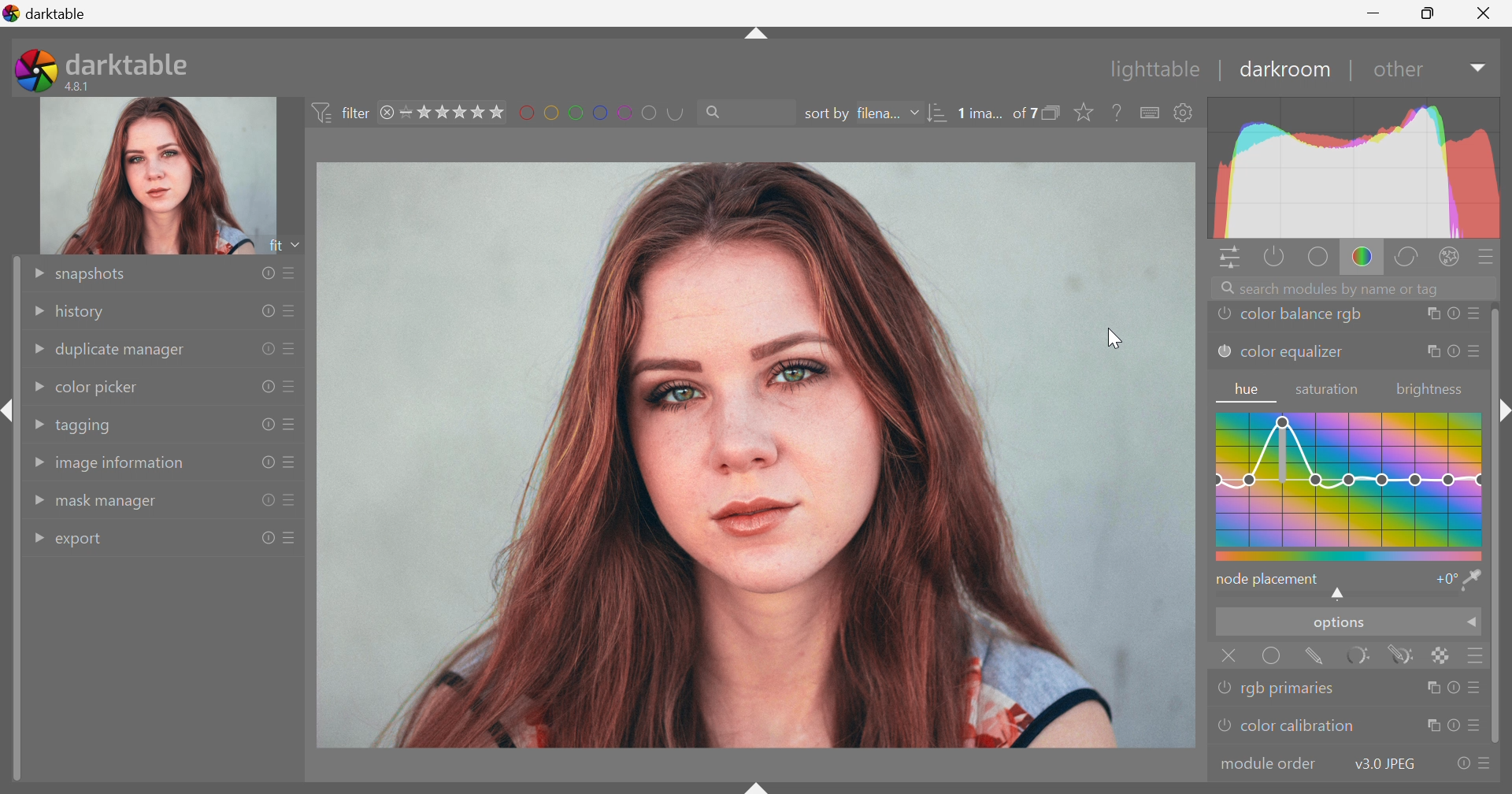  I want to click on Drop Down, so click(32, 273).